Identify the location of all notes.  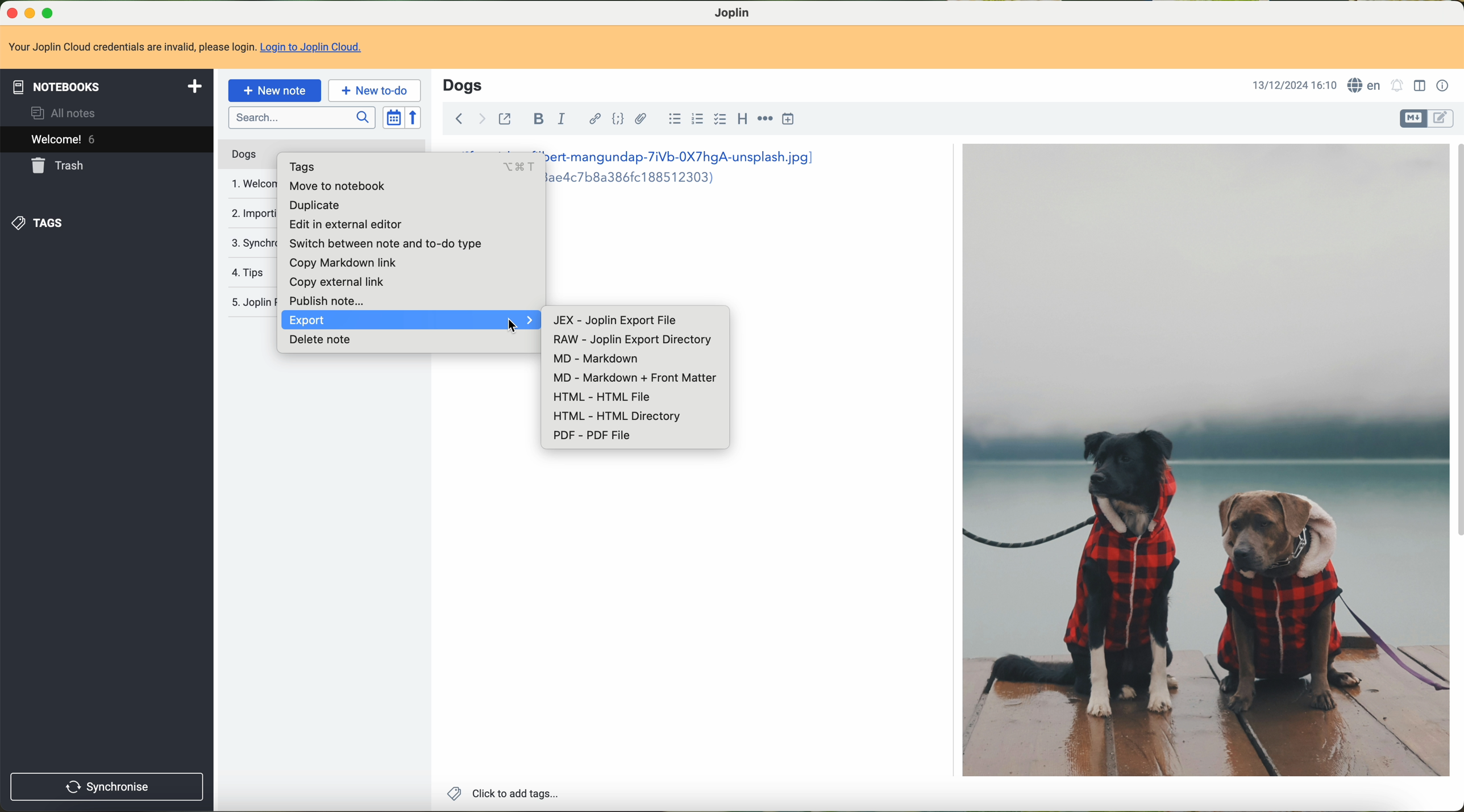
(65, 113).